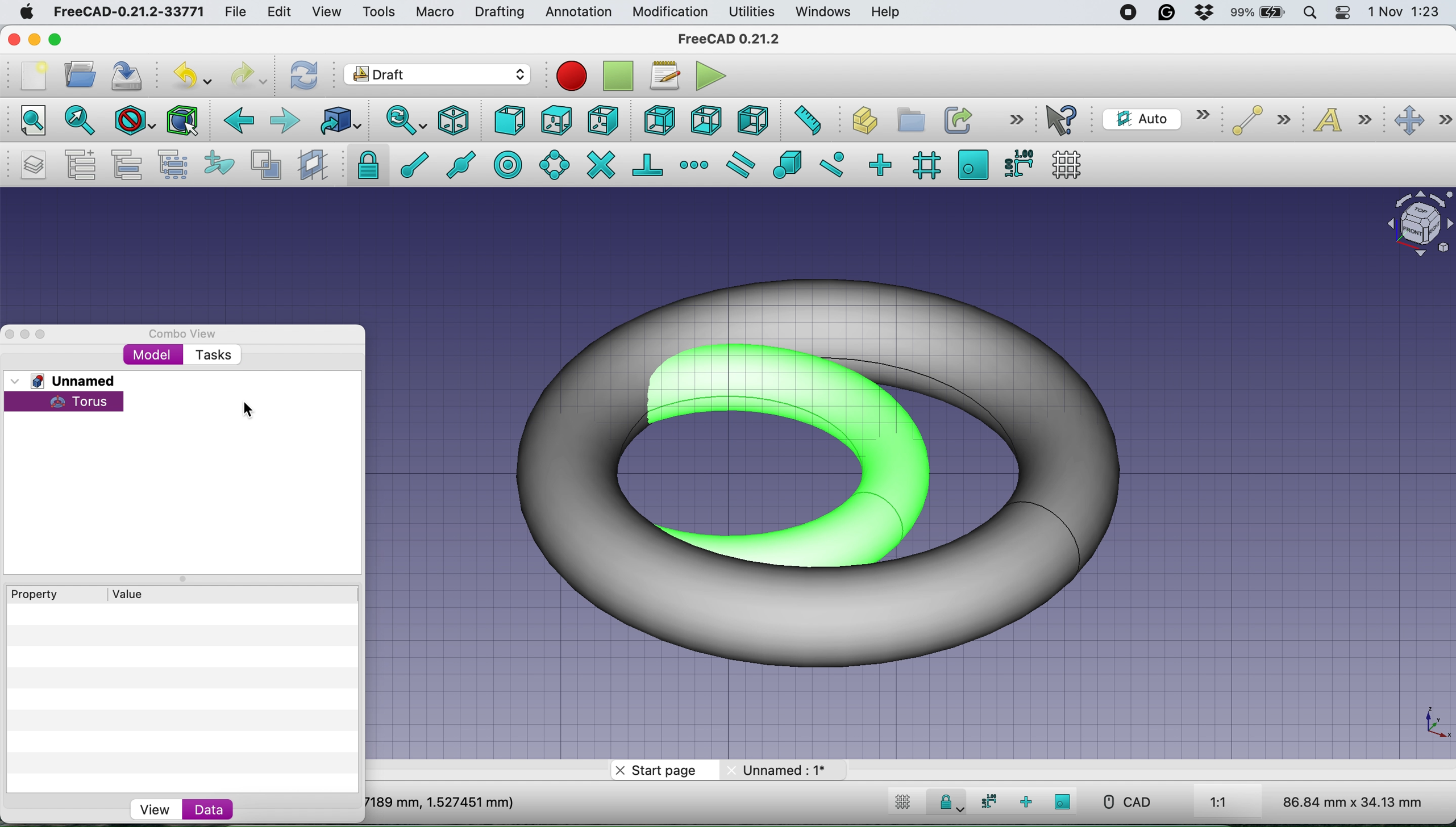 This screenshot has width=1456, height=827. Describe the element at coordinates (744, 164) in the screenshot. I see `snap parallel` at that location.